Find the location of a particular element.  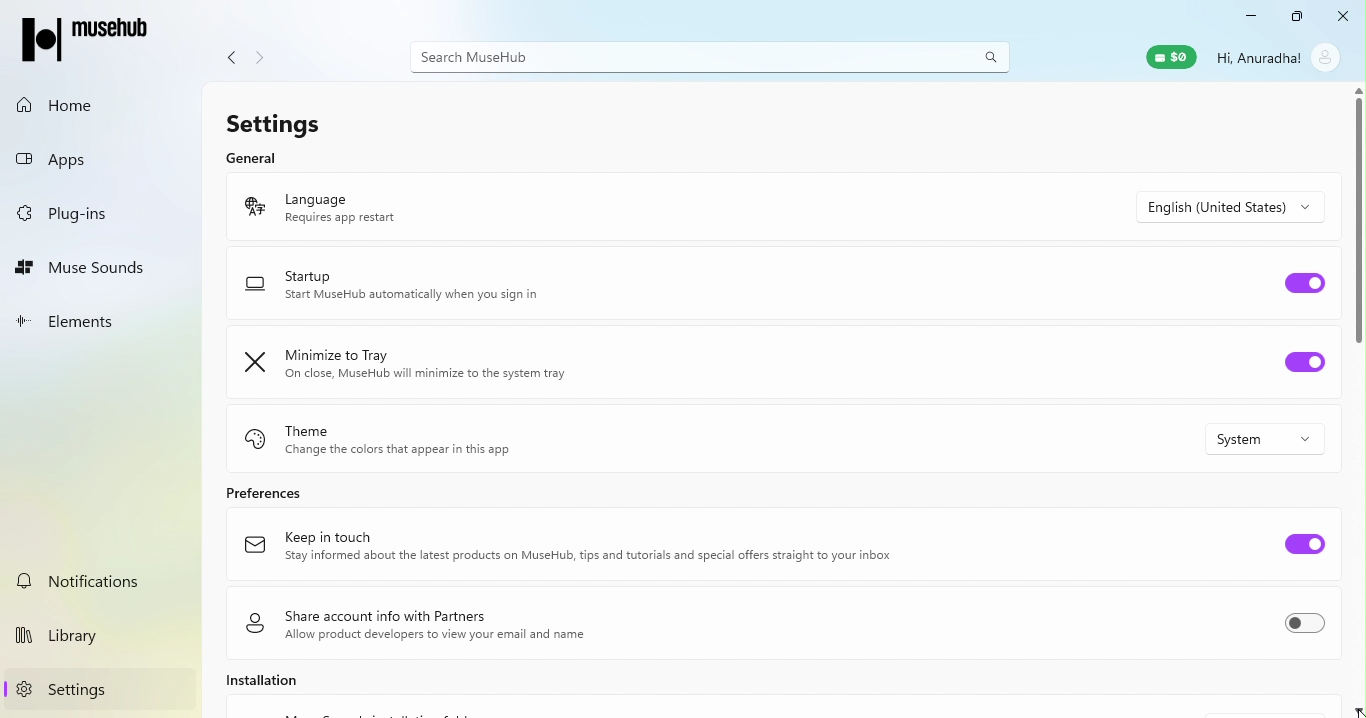

Scroll bar is located at coordinates (1357, 222).